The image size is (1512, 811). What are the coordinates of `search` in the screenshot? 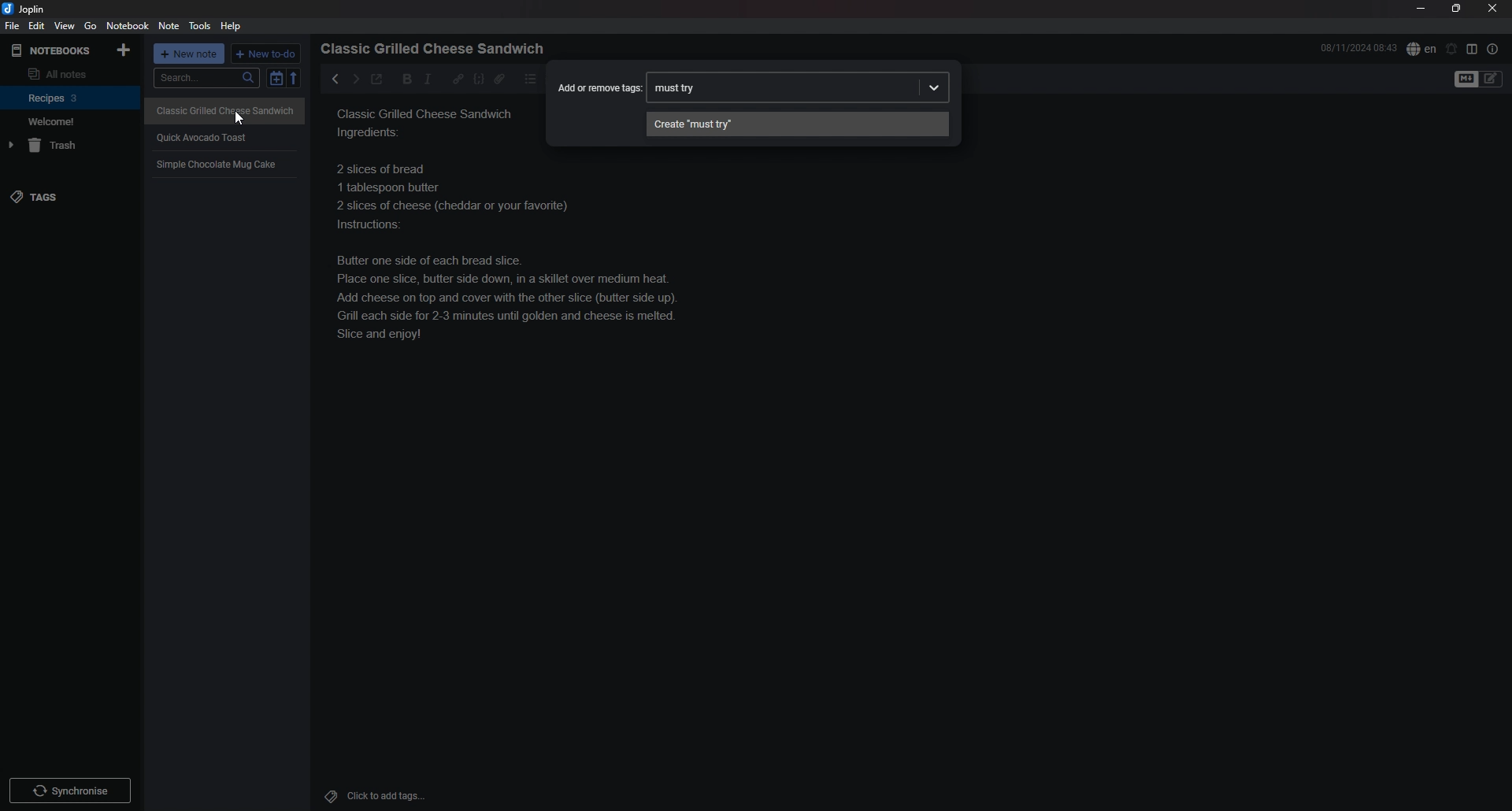 It's located at (206, 78).